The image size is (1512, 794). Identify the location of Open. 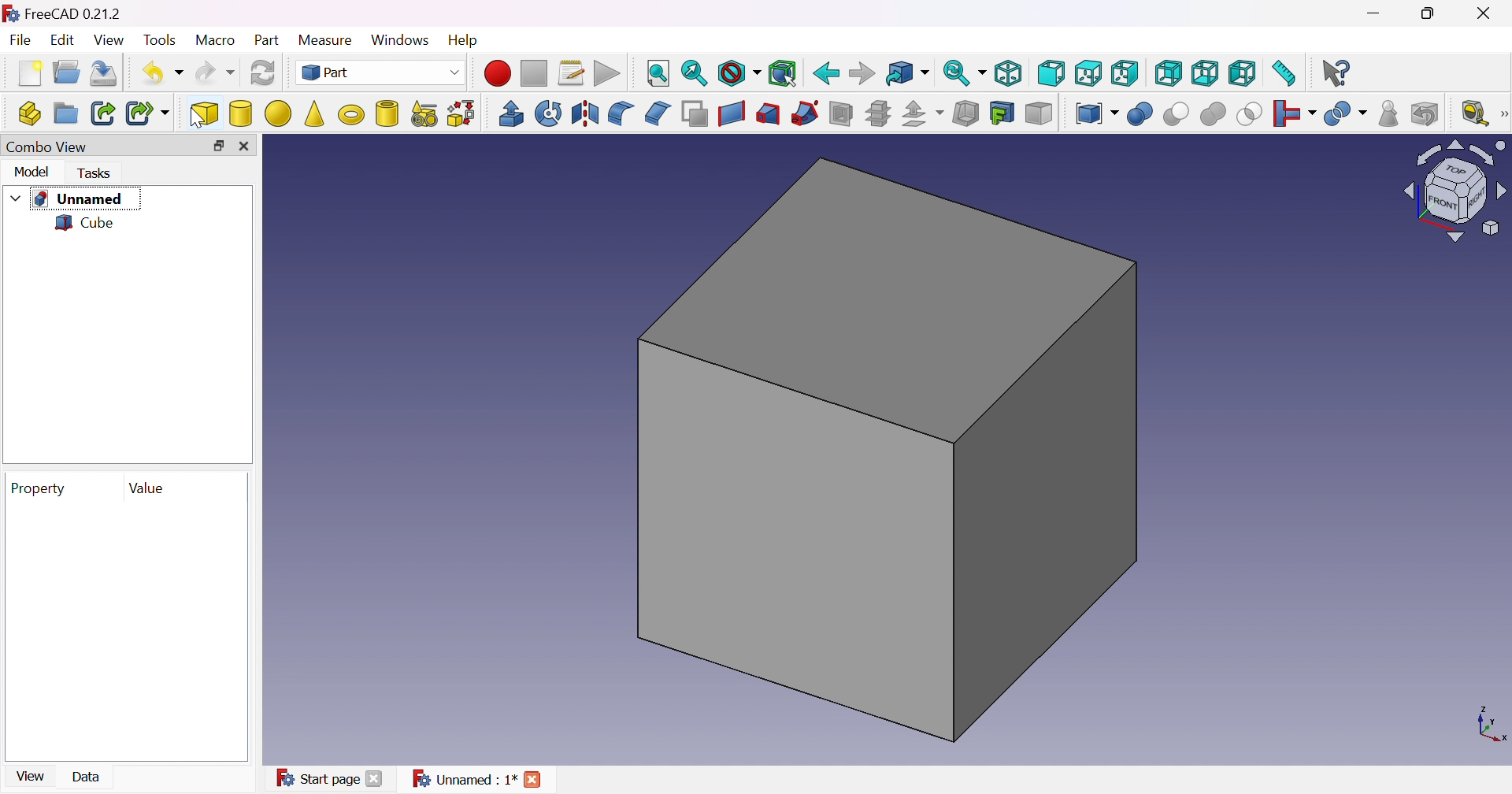
(66, 70).